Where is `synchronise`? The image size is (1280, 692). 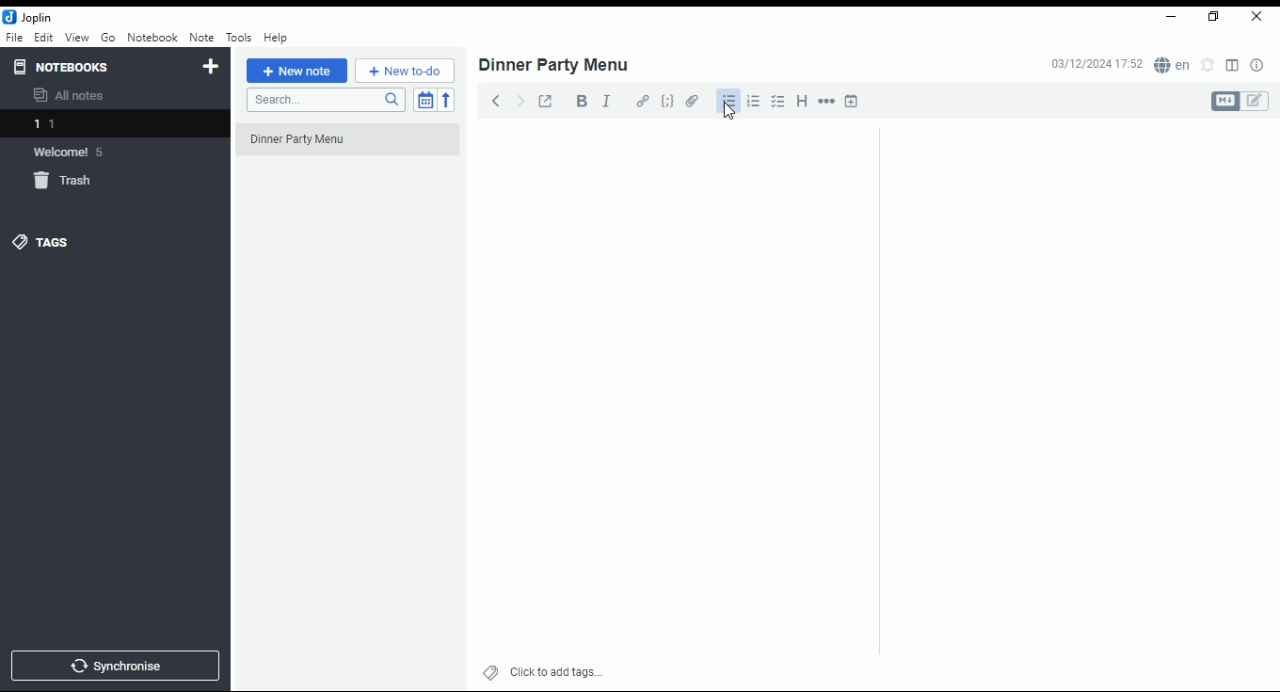 synchronise is located at coordinates (115, 666).